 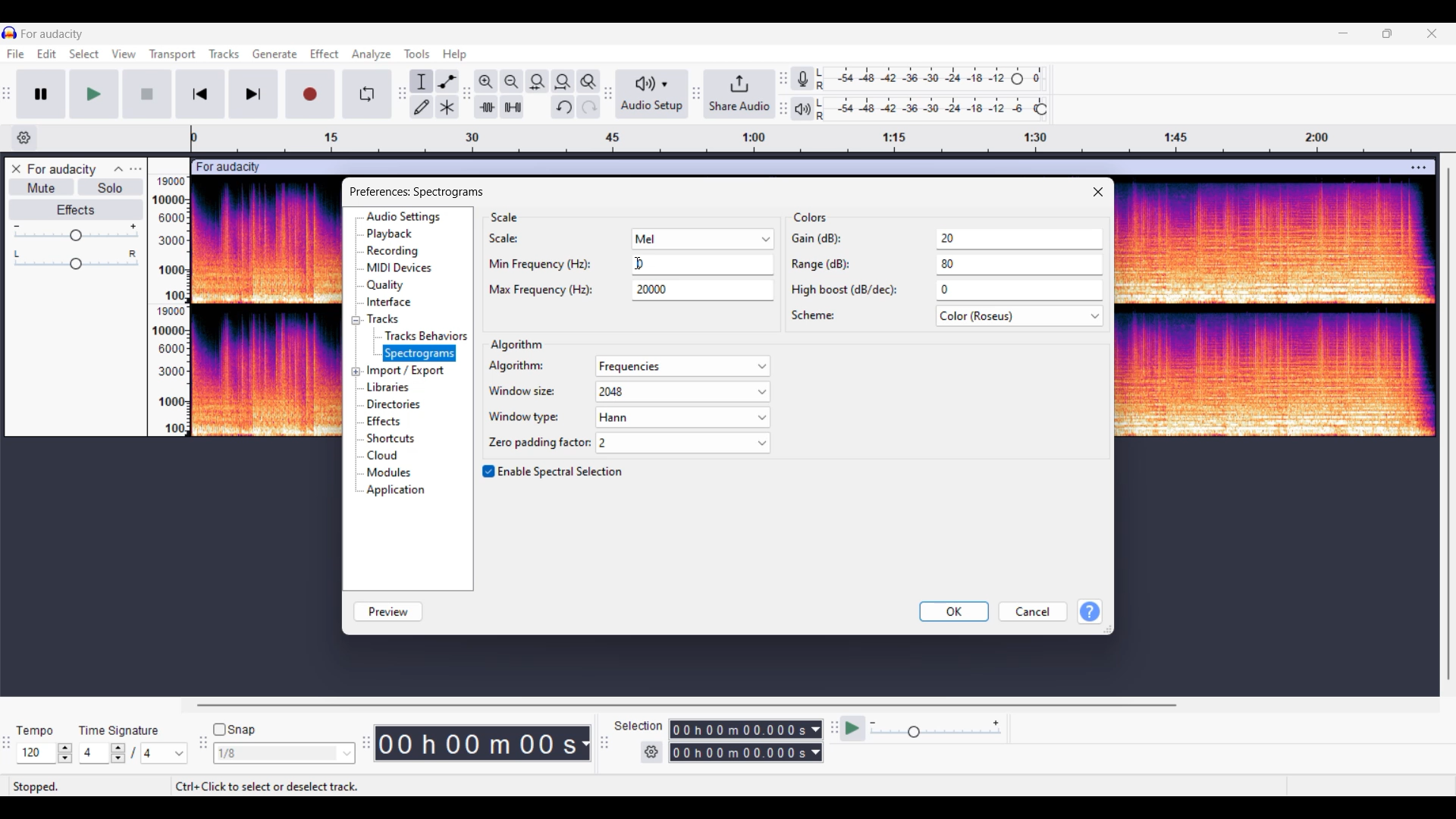 What do you see at coordinates (400, 268) in the screenshot?
I see `midi devices` at bounding box center [400, 268].